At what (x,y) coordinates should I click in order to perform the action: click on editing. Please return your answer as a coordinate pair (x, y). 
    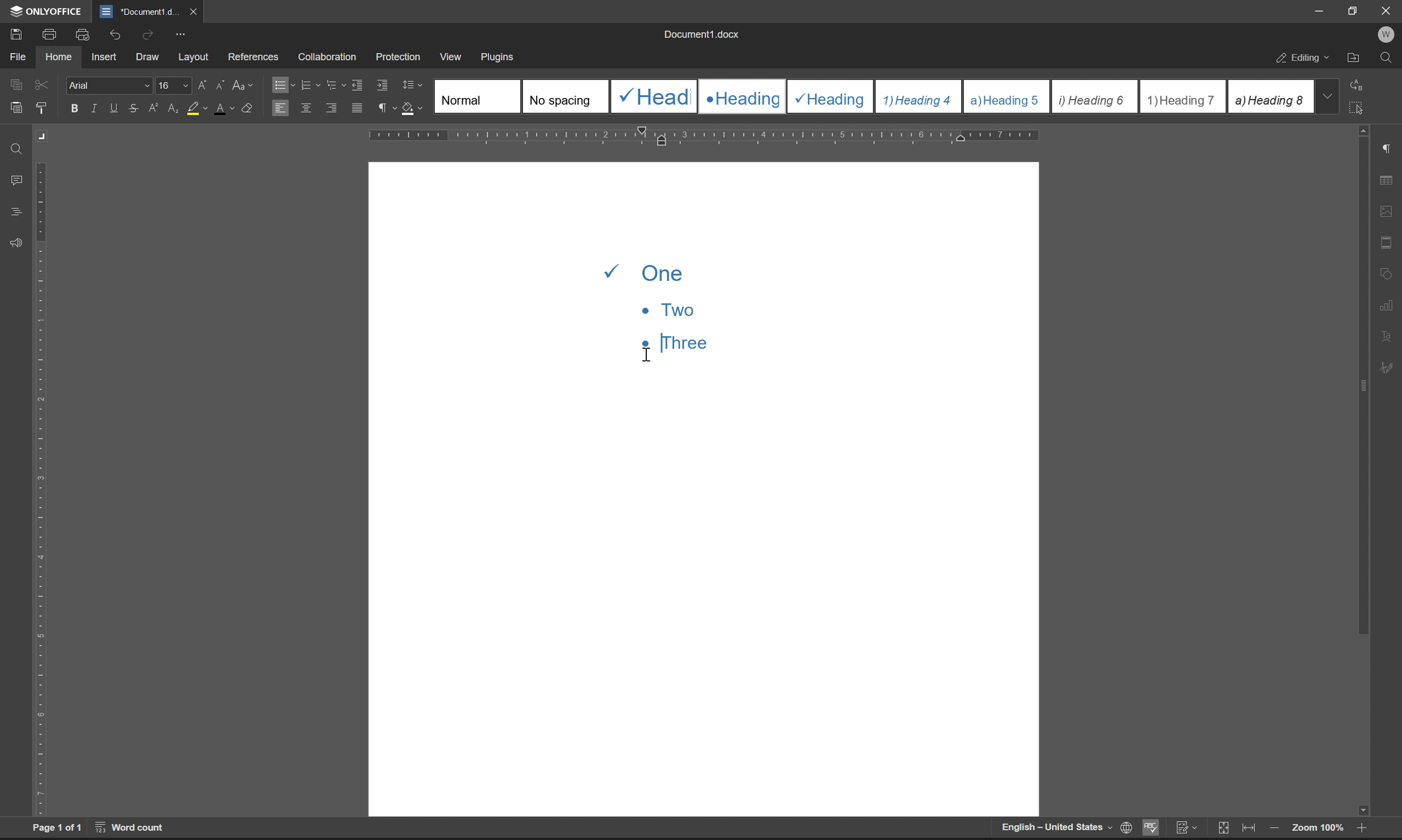
    Looking at the image, I should click on (1304, 59).